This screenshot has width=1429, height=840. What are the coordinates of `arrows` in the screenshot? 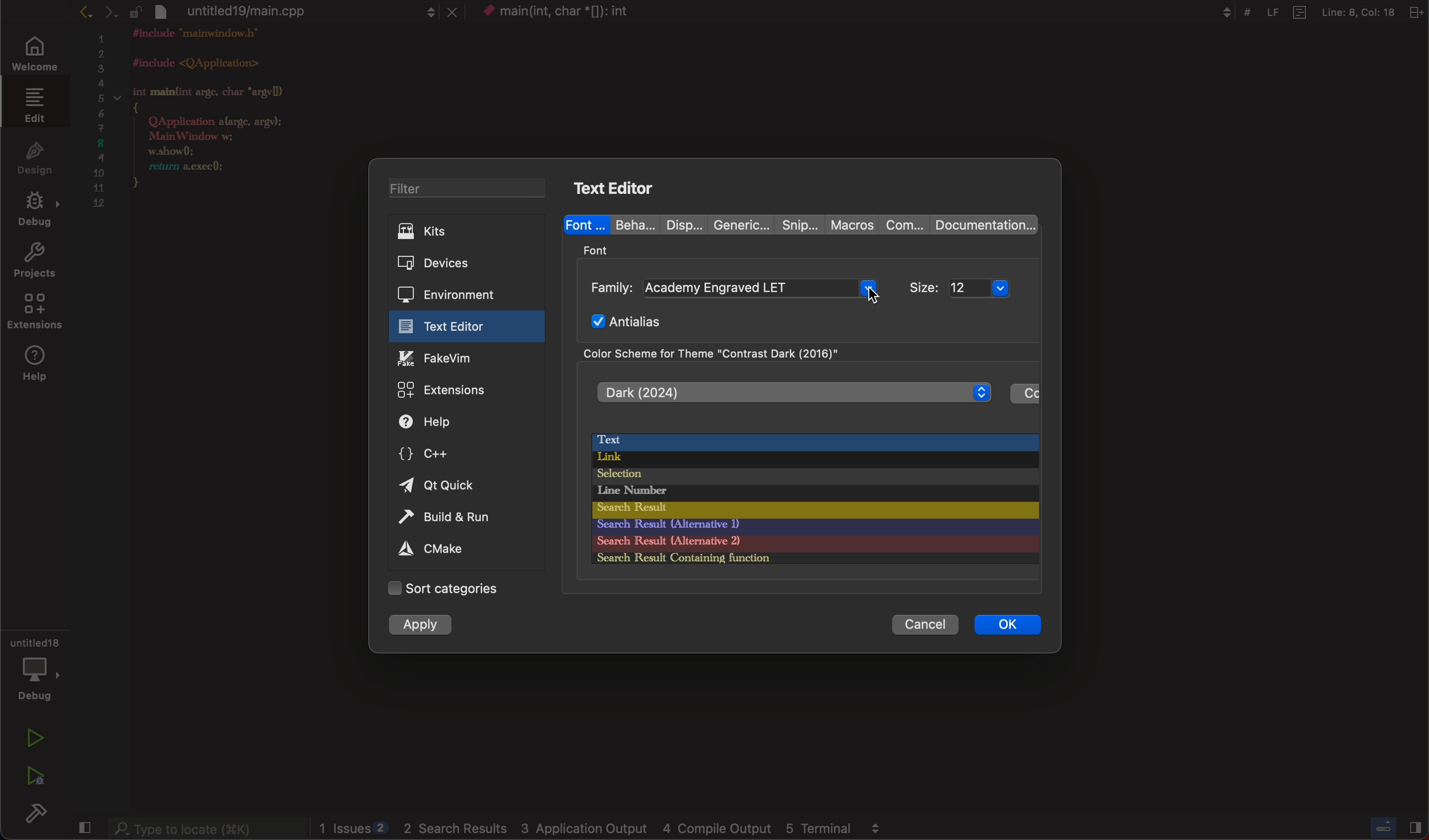 It's located at (108, 12).